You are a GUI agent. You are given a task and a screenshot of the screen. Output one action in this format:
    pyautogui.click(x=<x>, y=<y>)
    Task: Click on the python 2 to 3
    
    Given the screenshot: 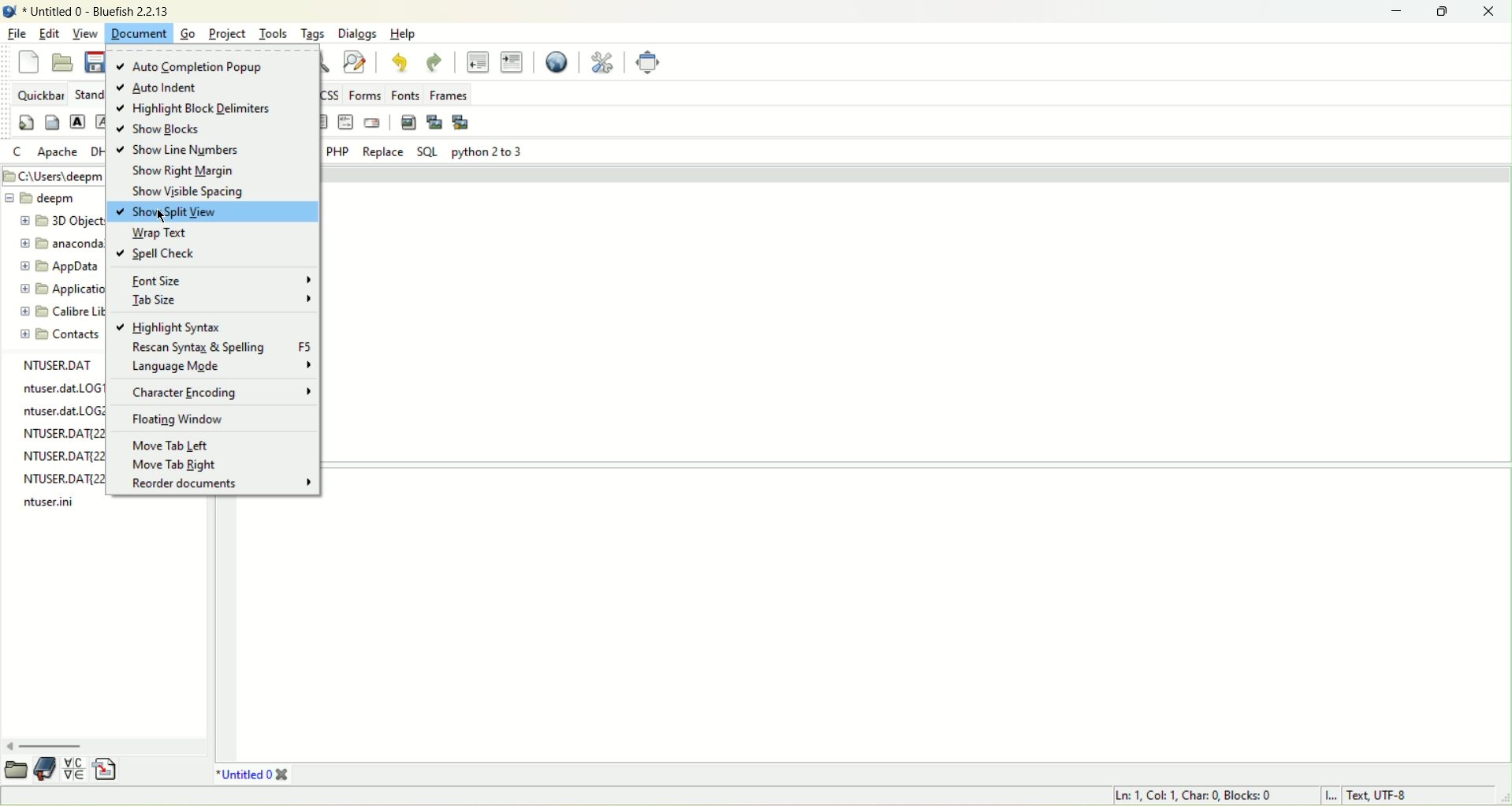 What is the action you would take?
    pyautogui.click(x=487, y=152)
    